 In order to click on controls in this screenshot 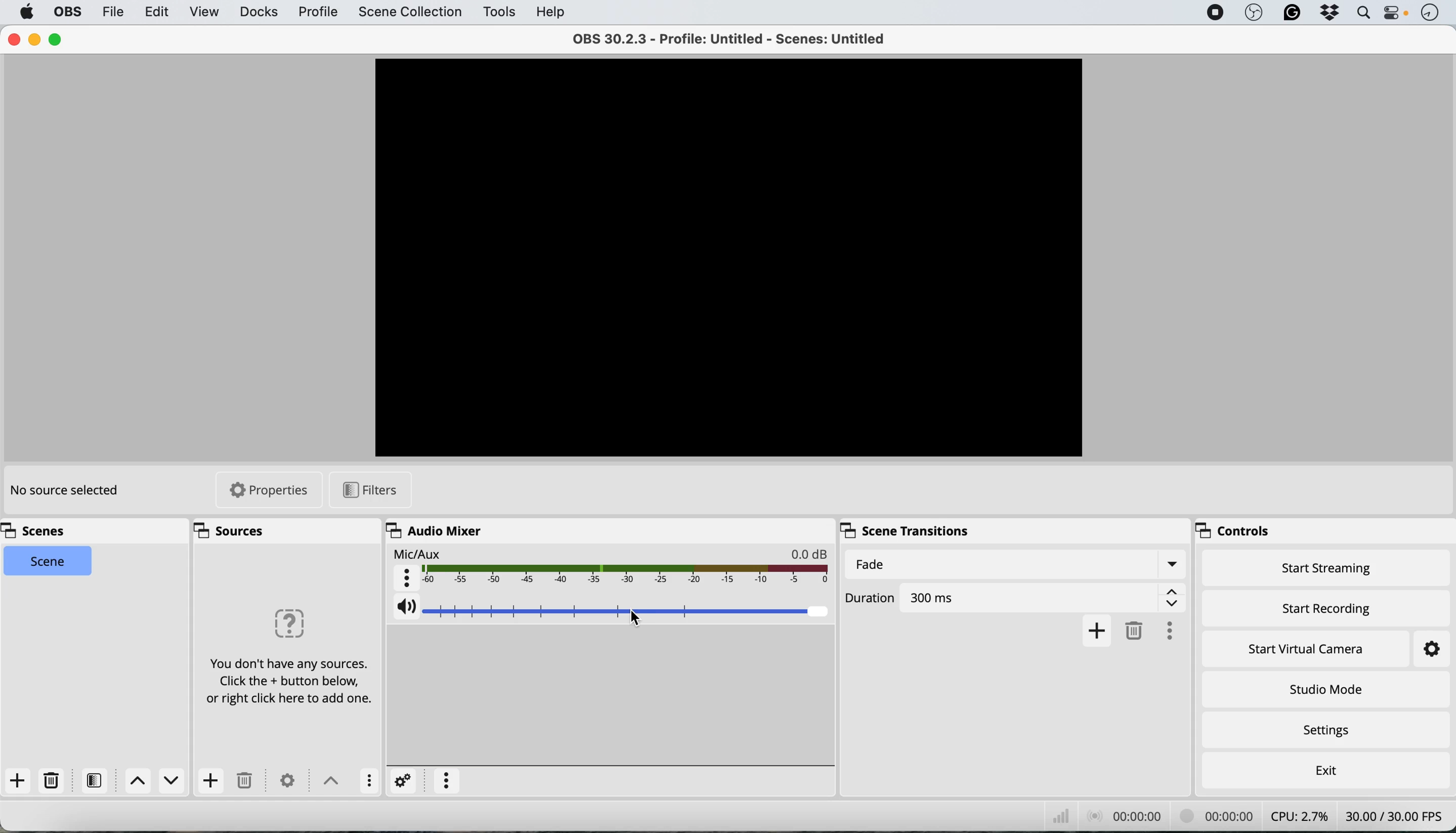, I will do `click(1235, 532)`.